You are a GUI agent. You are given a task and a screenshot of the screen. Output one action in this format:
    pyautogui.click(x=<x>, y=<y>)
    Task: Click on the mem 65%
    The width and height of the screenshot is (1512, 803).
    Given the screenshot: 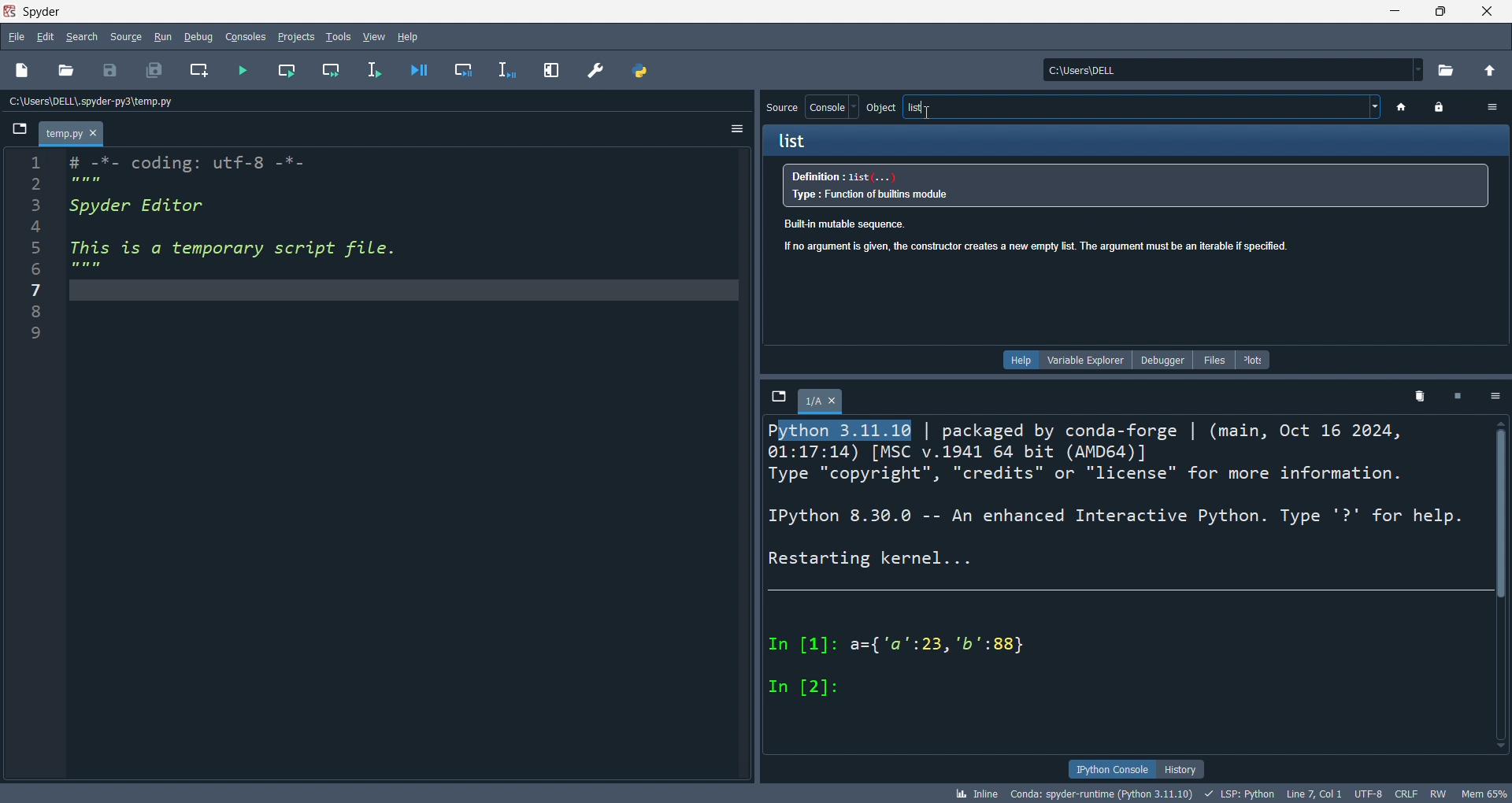 What is the action you would take?
    pyautogui.click(x=1488, y=794)
    